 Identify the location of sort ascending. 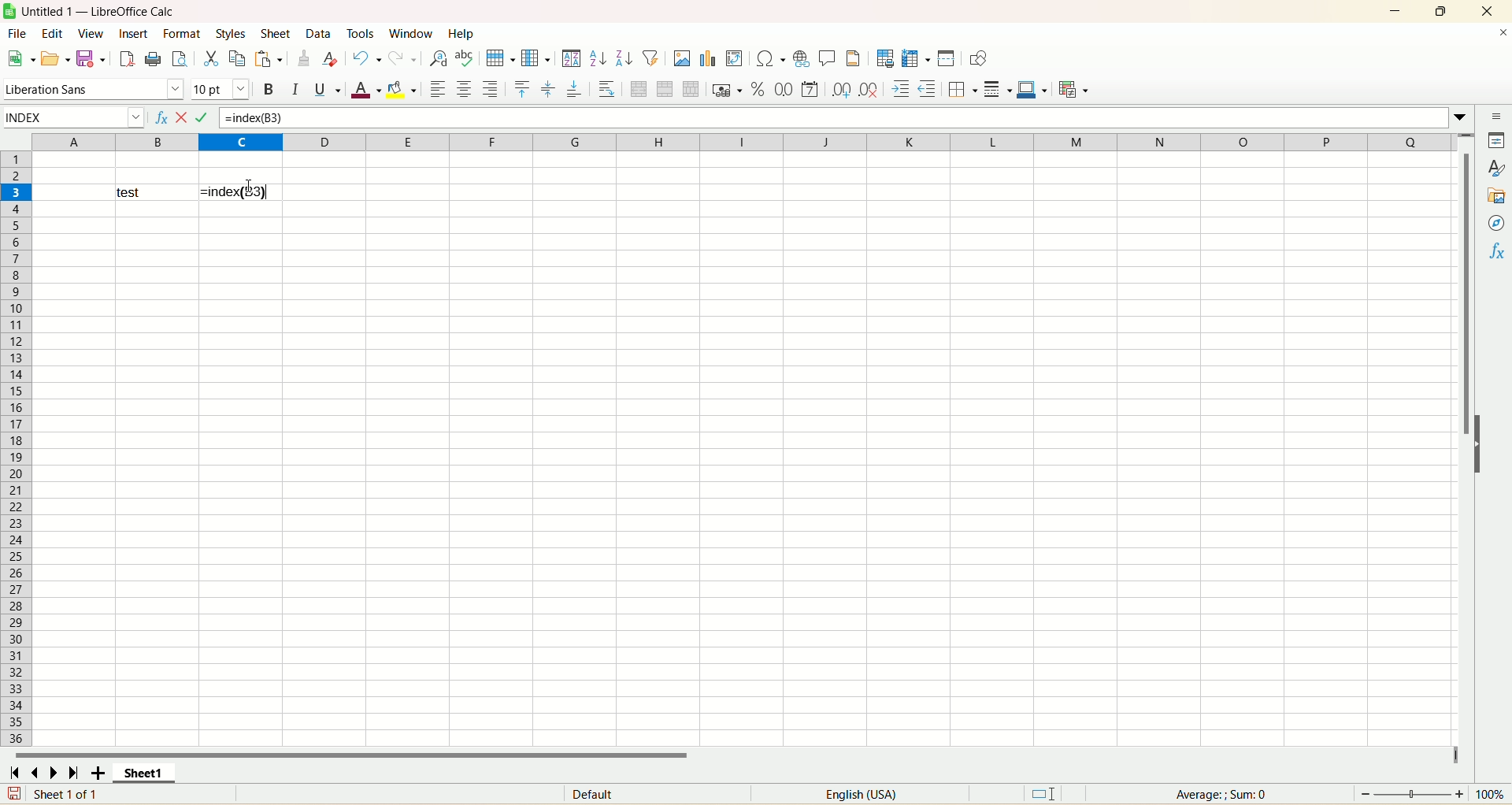
(598, 58).